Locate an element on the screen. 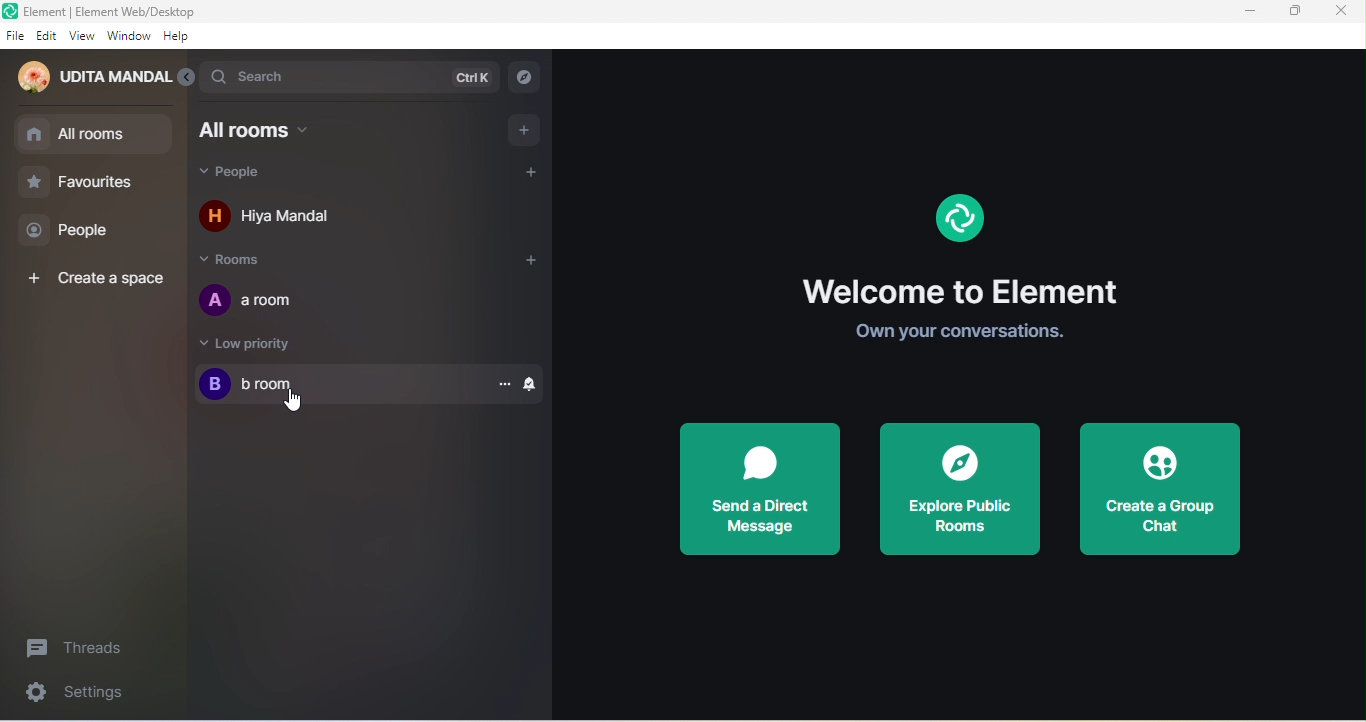 The height and width of the screenshot is (722, 1366). settings is located at coordinates (75, 695).